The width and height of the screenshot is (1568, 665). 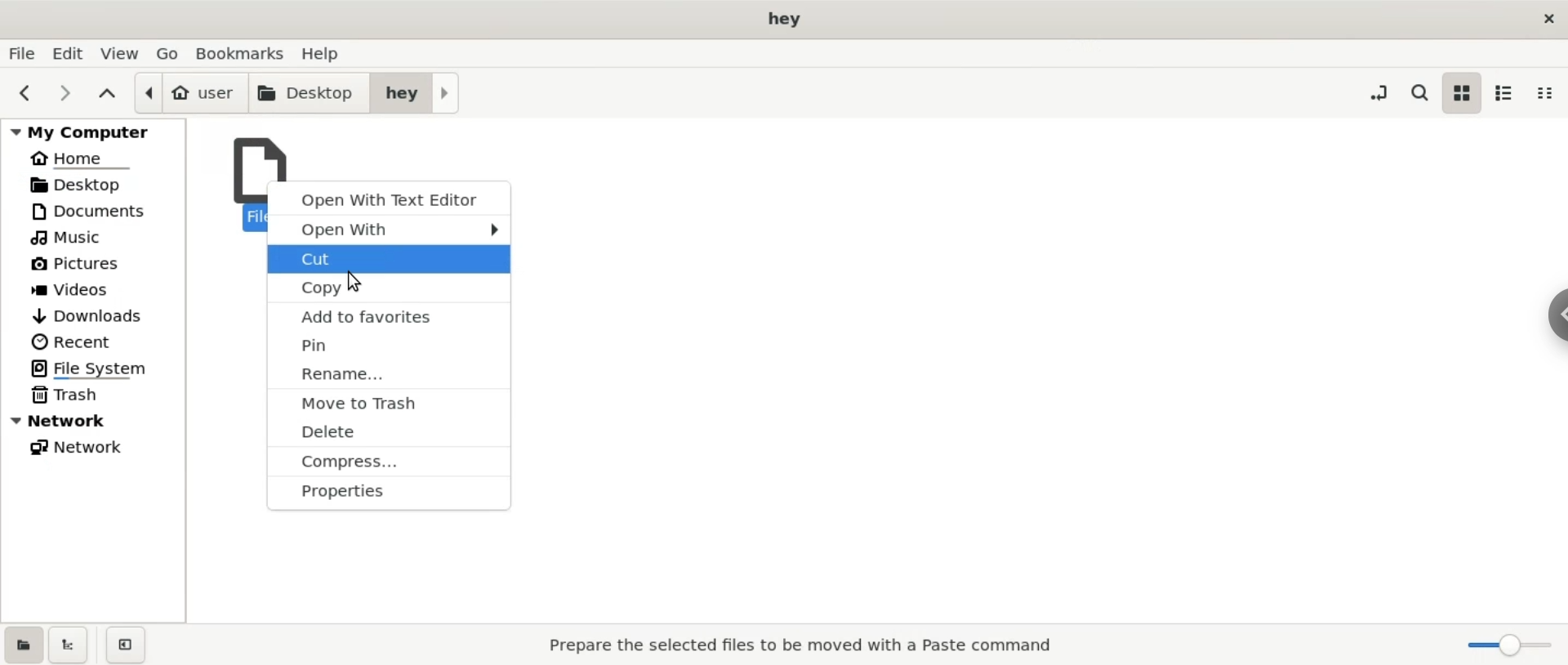 What do you see at coordinates (98, 287) in the screenshot?
I see `videos` at bounding box center [98, 287].